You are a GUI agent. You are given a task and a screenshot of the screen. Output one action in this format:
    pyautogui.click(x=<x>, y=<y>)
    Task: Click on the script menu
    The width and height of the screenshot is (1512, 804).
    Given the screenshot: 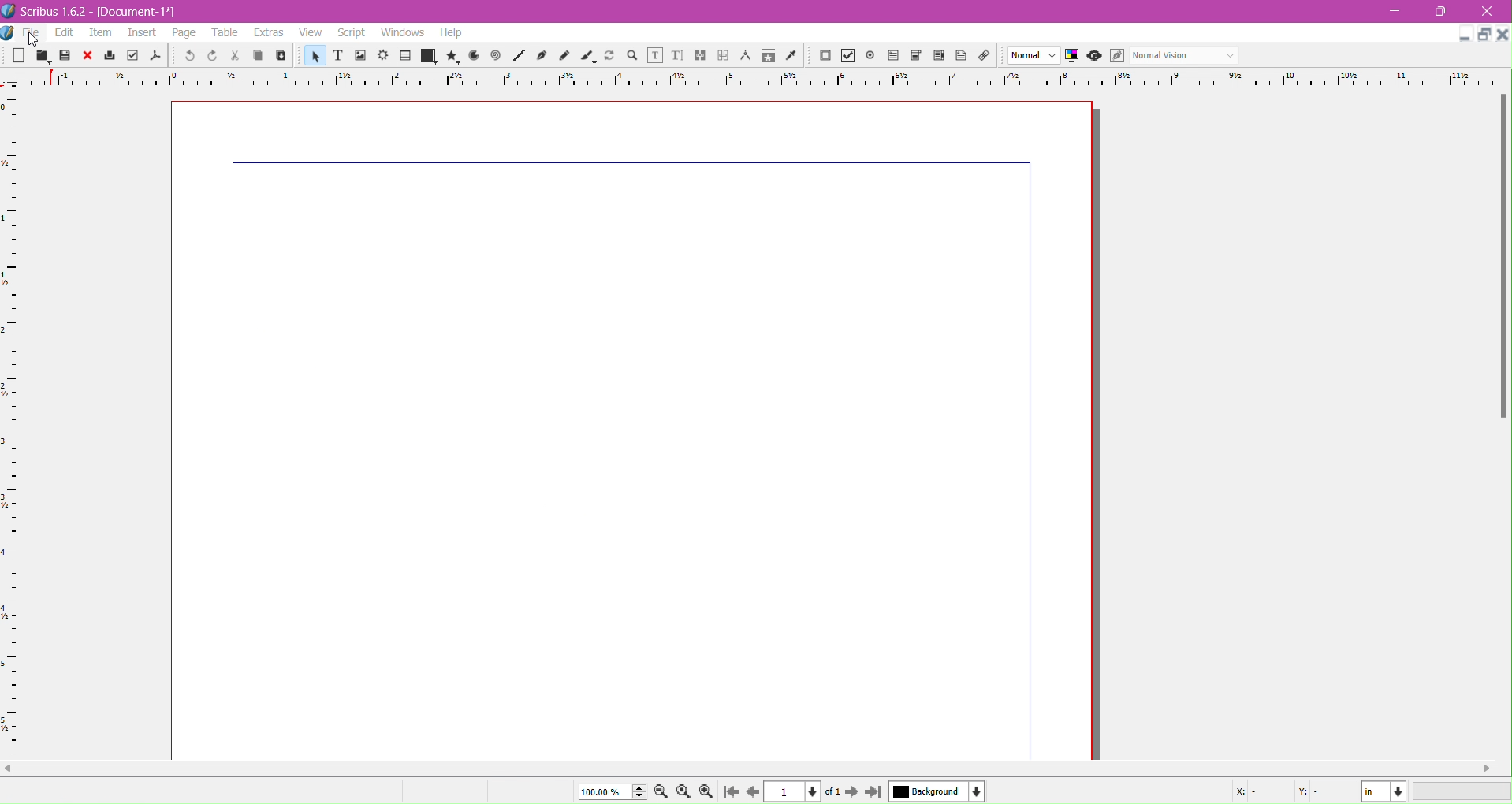 What is the action you would take?
    pyautogui.click(x=353, y=33)
    